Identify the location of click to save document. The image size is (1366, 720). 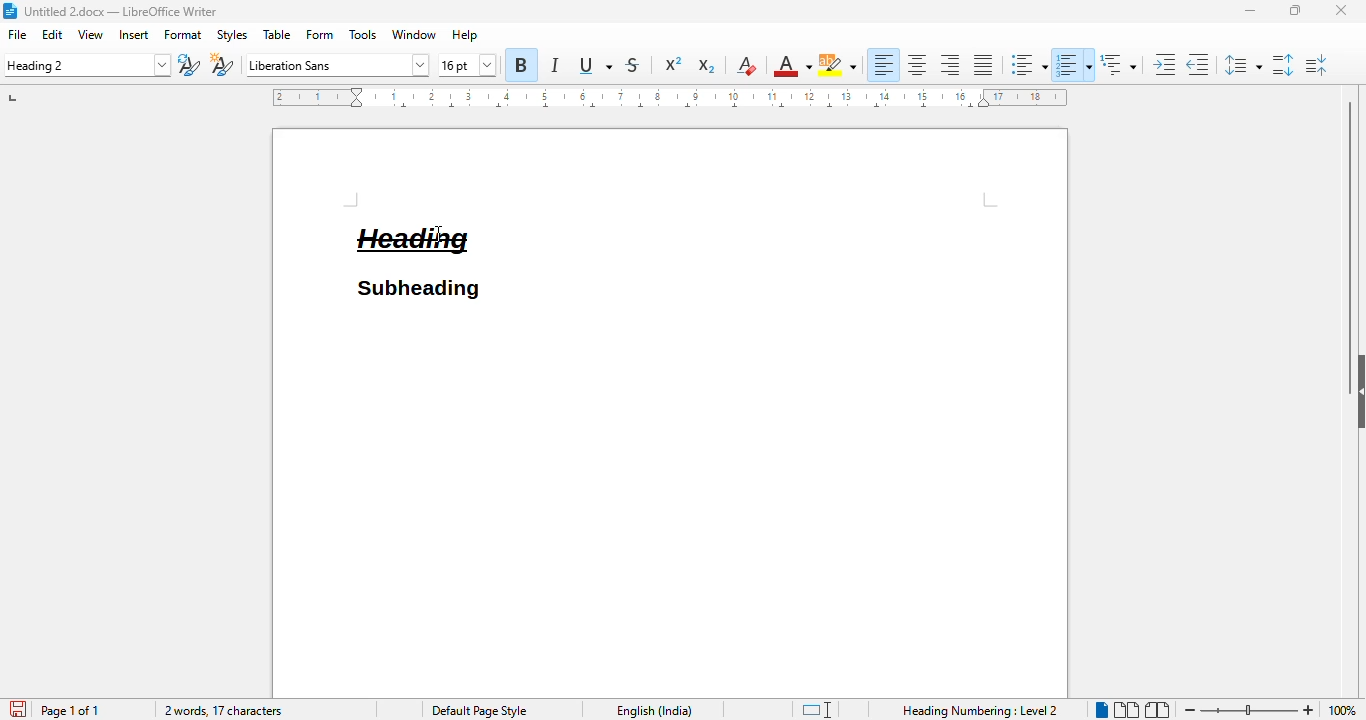
(19, 709).